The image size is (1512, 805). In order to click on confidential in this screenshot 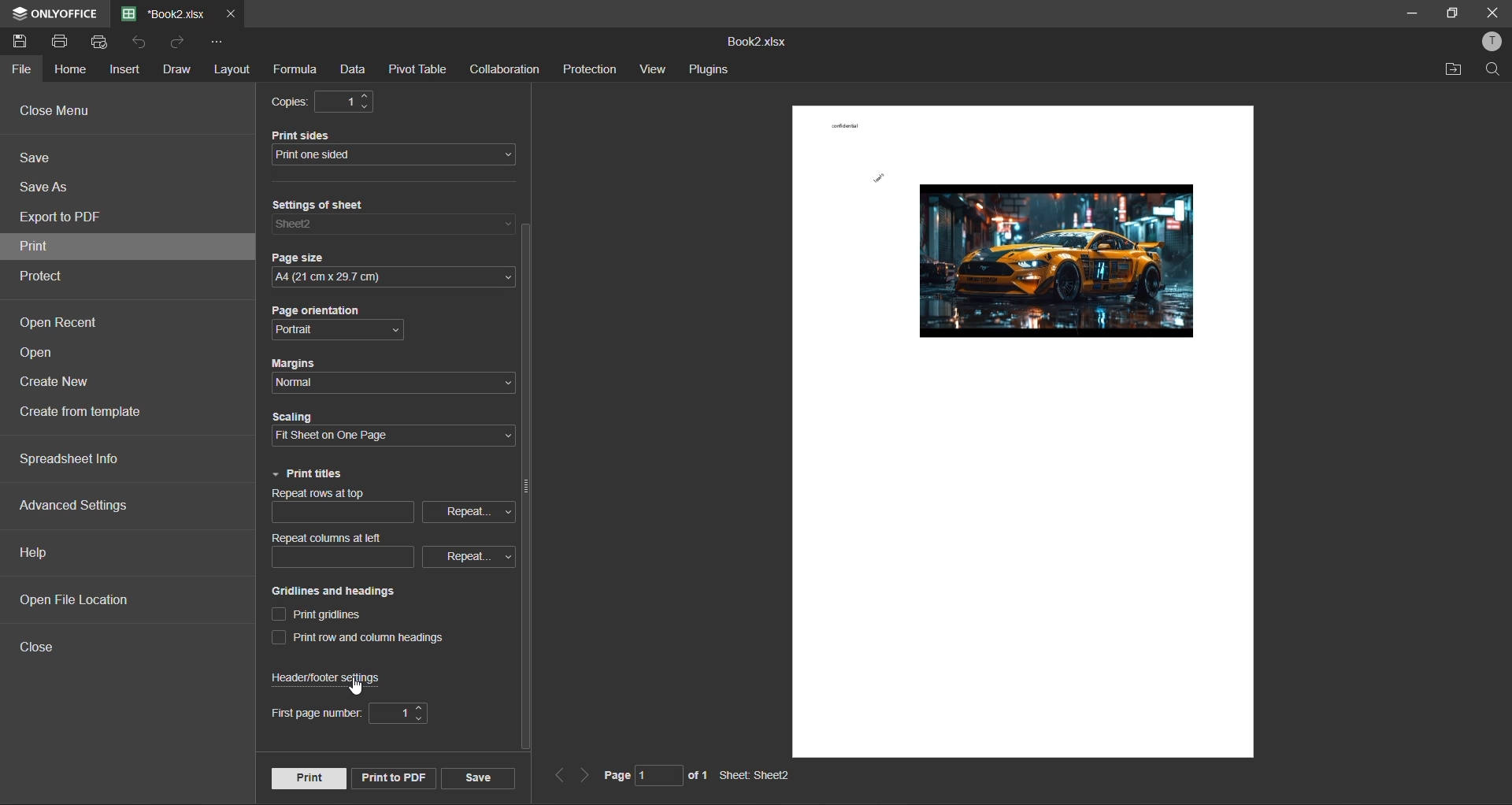, I will do `click(845, 124)`.